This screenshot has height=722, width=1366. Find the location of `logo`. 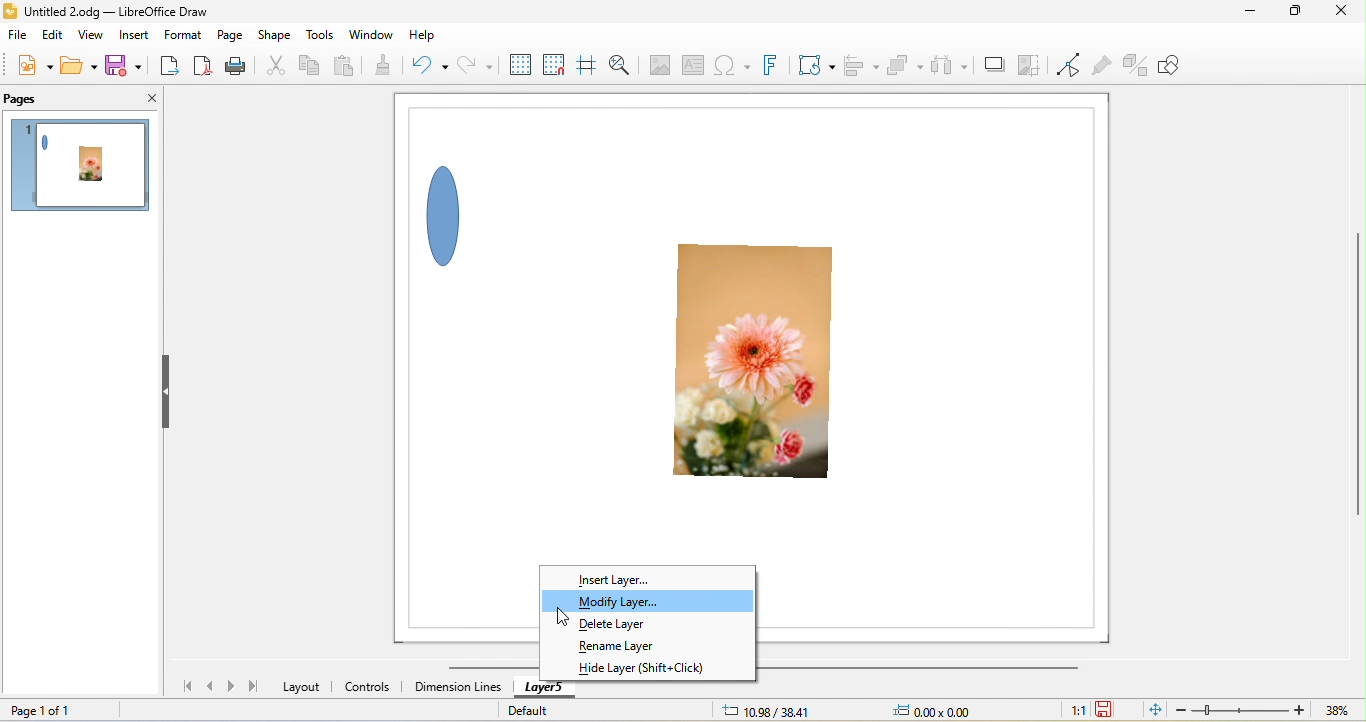

logo is located at coordinates (11, 11).